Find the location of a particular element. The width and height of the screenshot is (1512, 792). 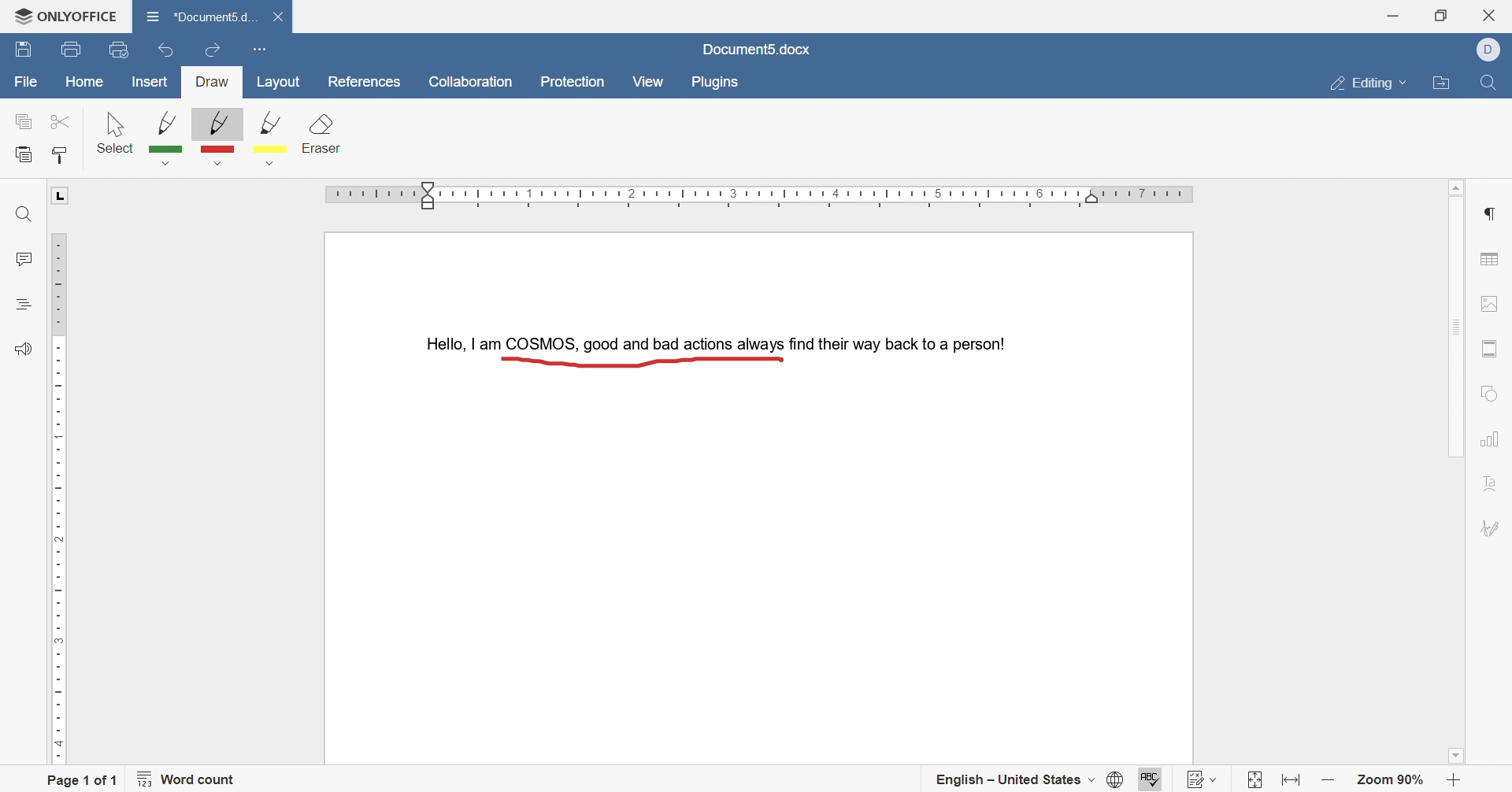

page 1 of 1 is located at coordinates (83, 779).